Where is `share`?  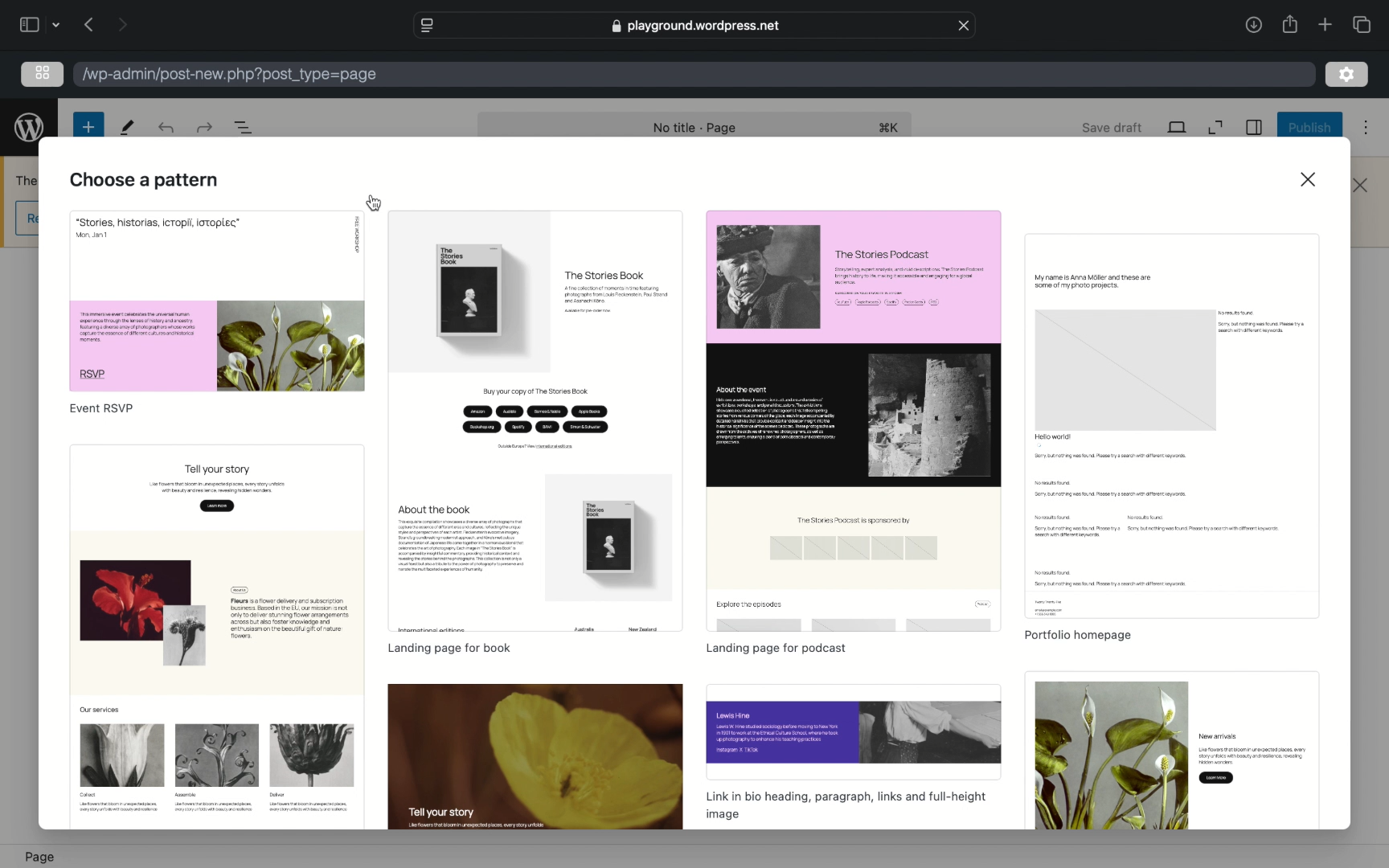 share is located at coordinates (1252, 26).